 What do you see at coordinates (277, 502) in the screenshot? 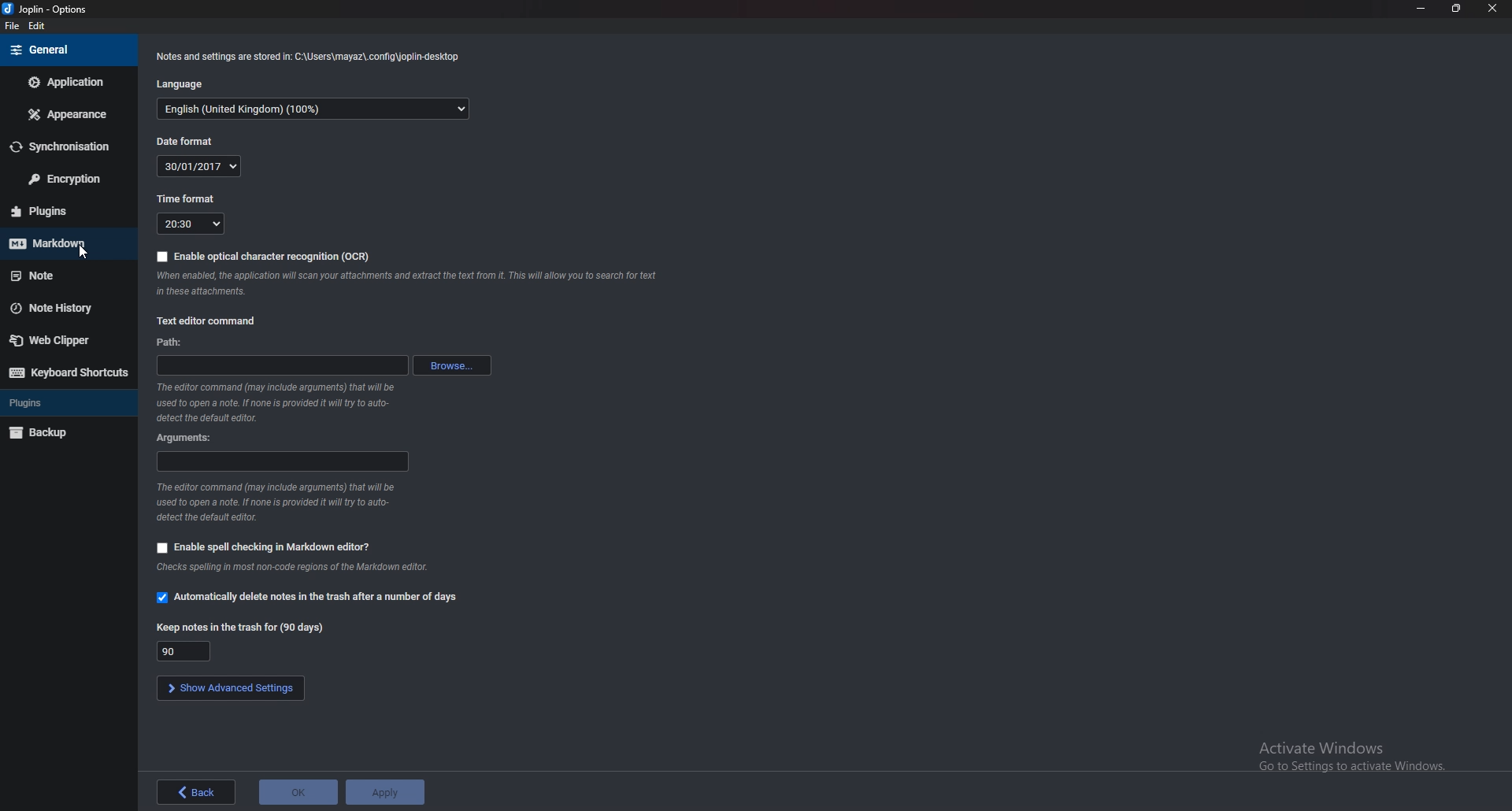
I see `the editor command (may include arguments) that will be used to open a note. If none is provided it will try to auto-detect the default editor.` at bounding box center [277, 502].